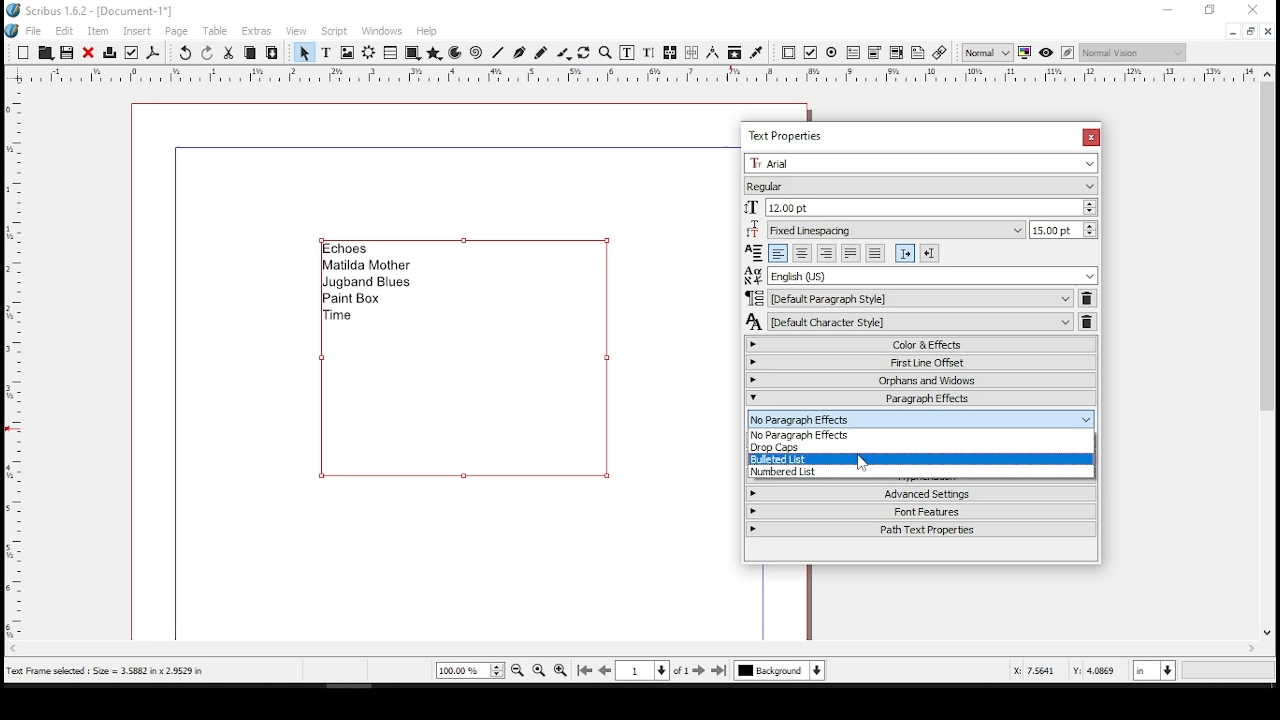 The height and width of the screenshot is (720, 1280). What do you see at coordinates (517, 670) in the screenshot?
I see `zoom out` at bounding box center [517, 670].